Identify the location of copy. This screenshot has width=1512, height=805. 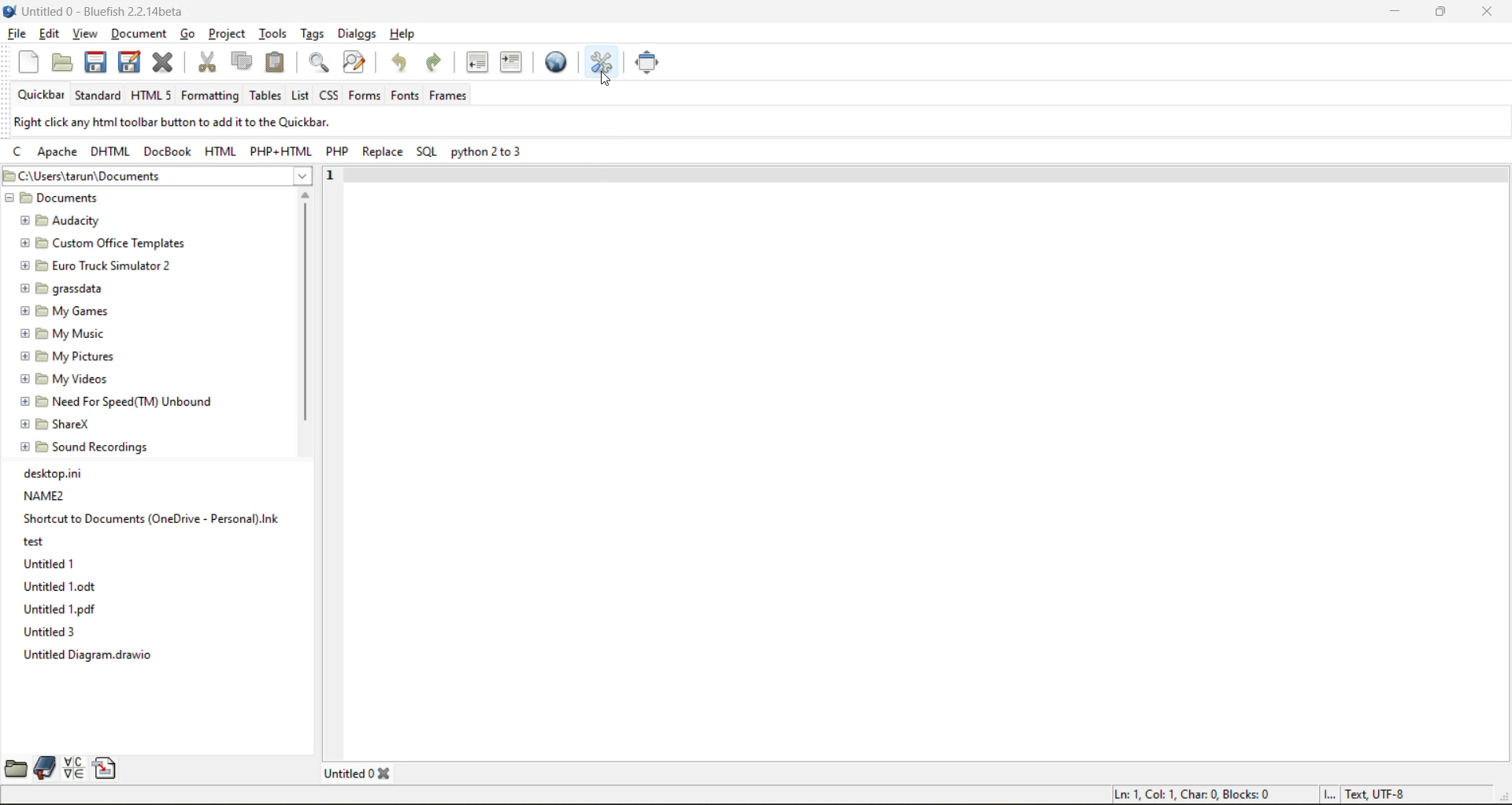
(242, 61).